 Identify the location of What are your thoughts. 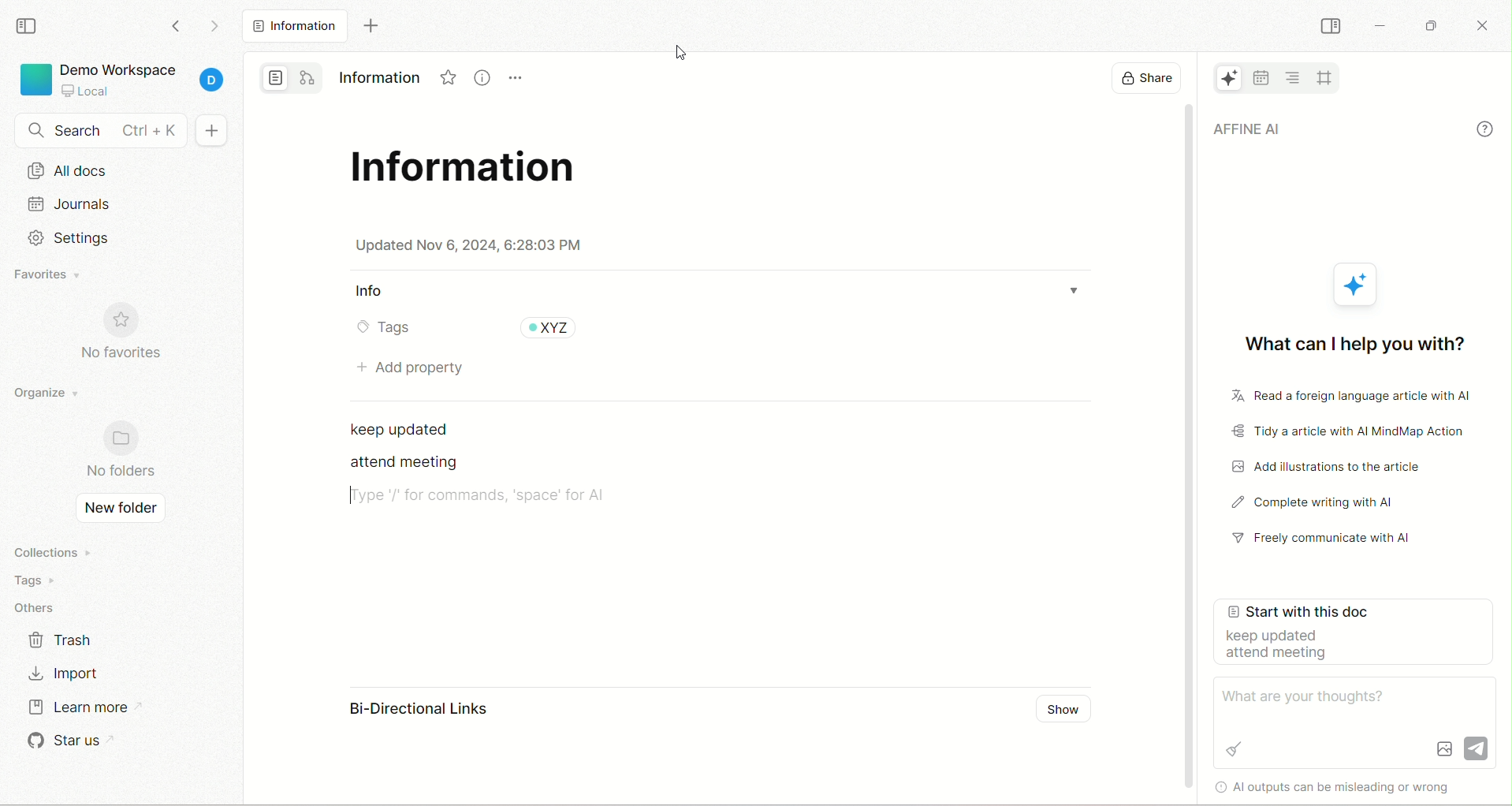
(1310, 696).